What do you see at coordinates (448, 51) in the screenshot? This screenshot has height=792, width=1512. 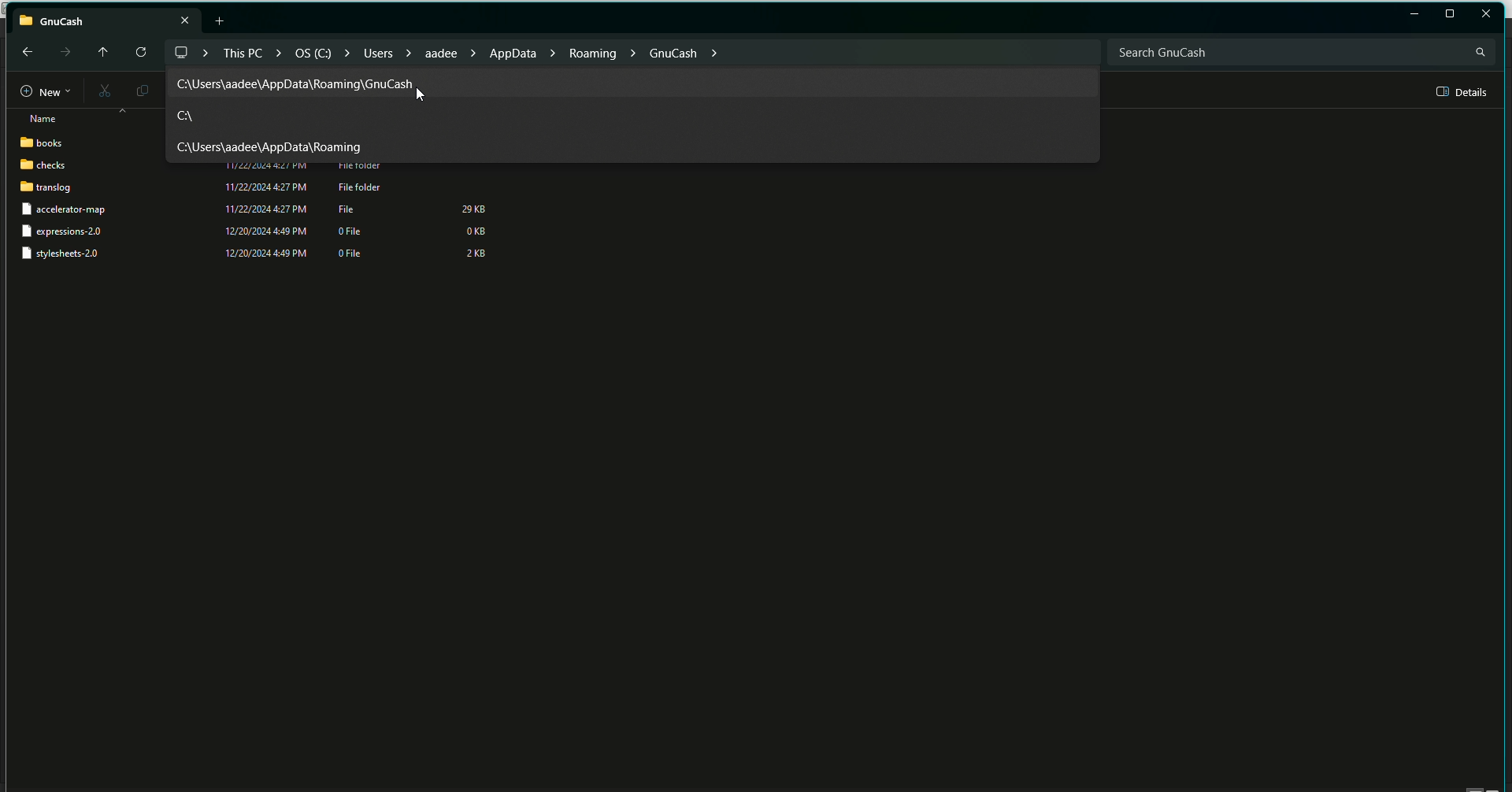 I see `File path` at bounding box center [448, 51].